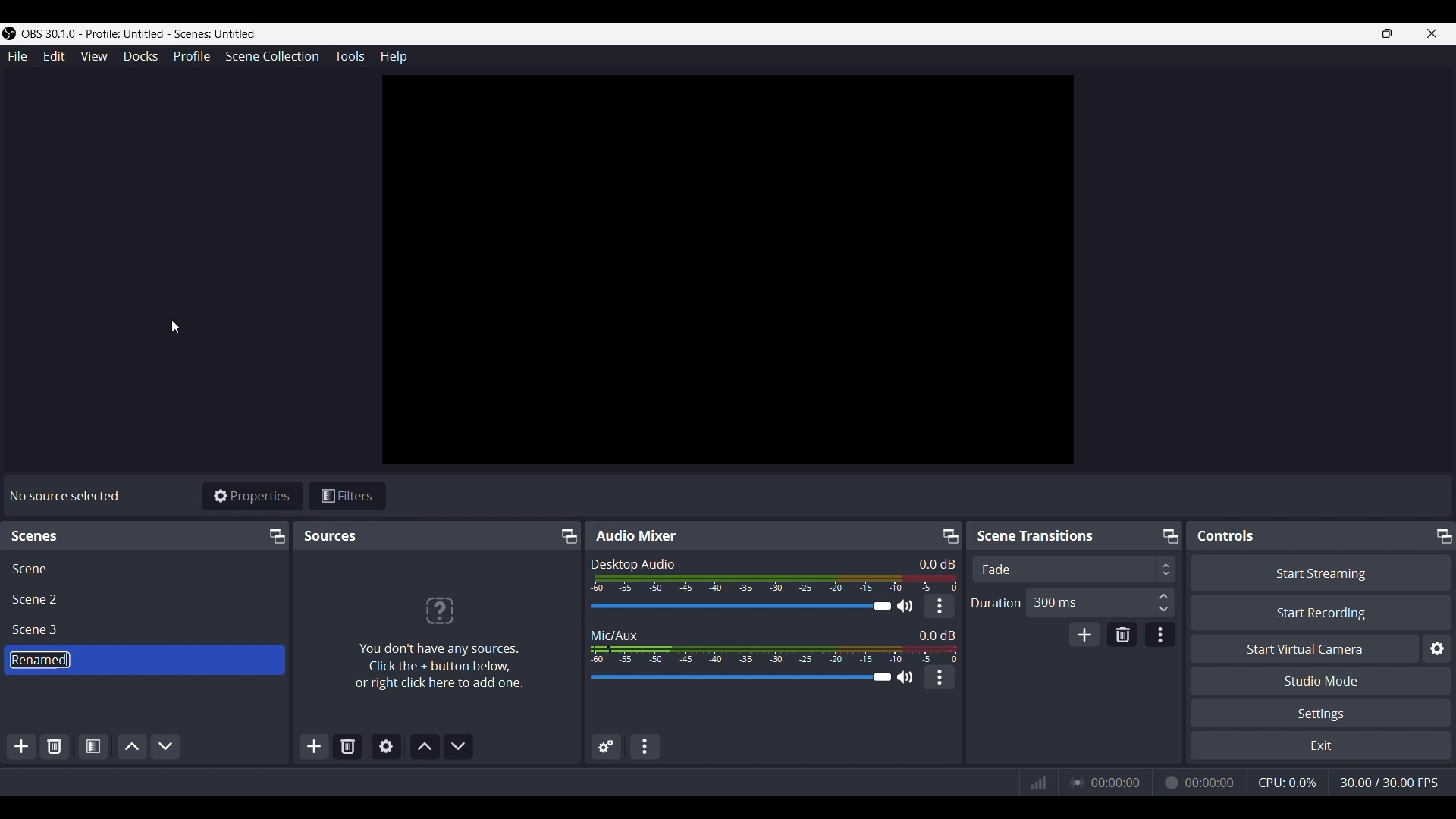  What do you see at coordinates (740, 606) in the screenshot?
I see `Audio Slider` at bounding box center [740, 606].